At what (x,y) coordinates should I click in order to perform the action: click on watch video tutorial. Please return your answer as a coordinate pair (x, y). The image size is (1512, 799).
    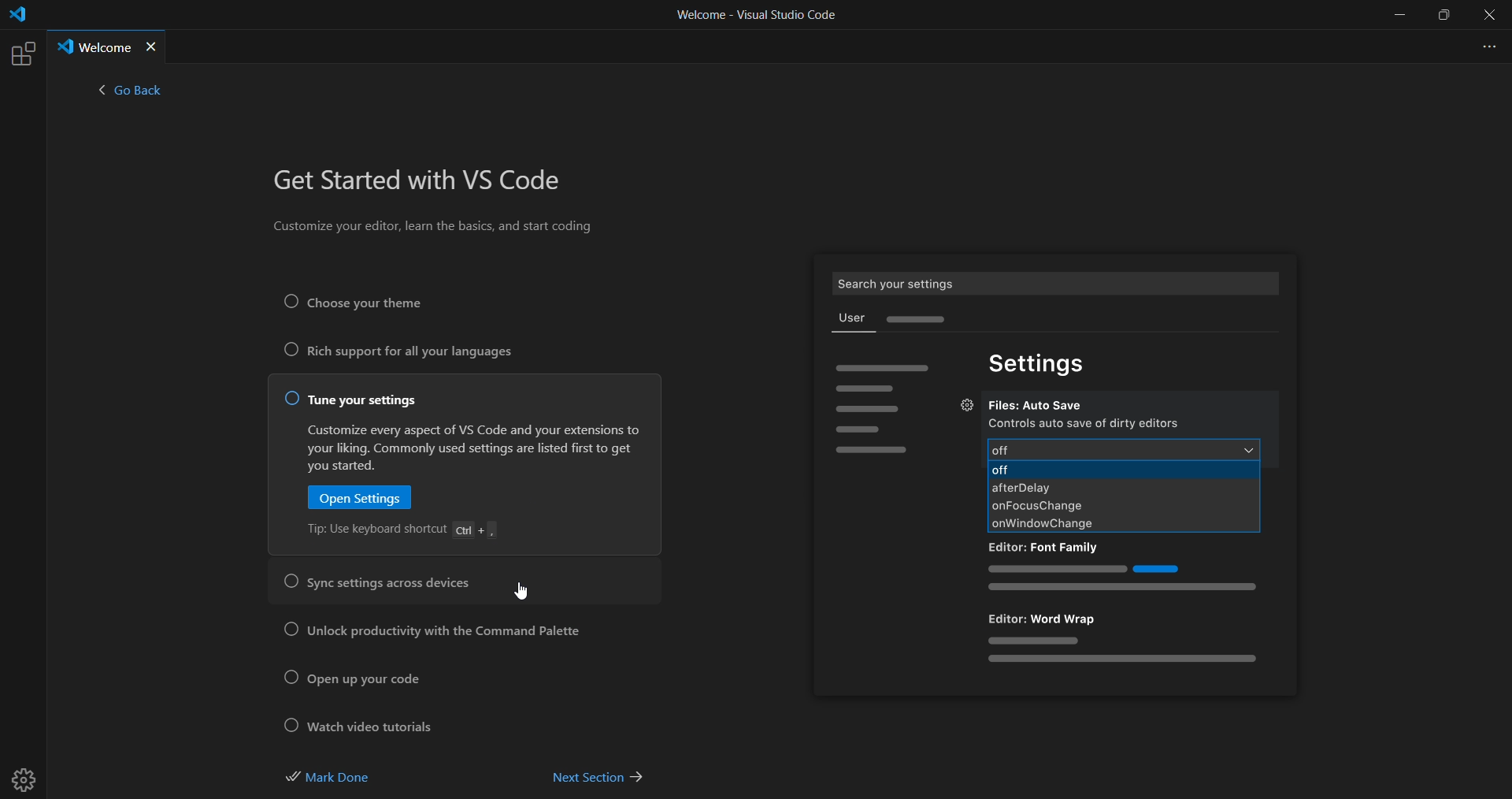
    Looking at the image, I should click on (361, 726).